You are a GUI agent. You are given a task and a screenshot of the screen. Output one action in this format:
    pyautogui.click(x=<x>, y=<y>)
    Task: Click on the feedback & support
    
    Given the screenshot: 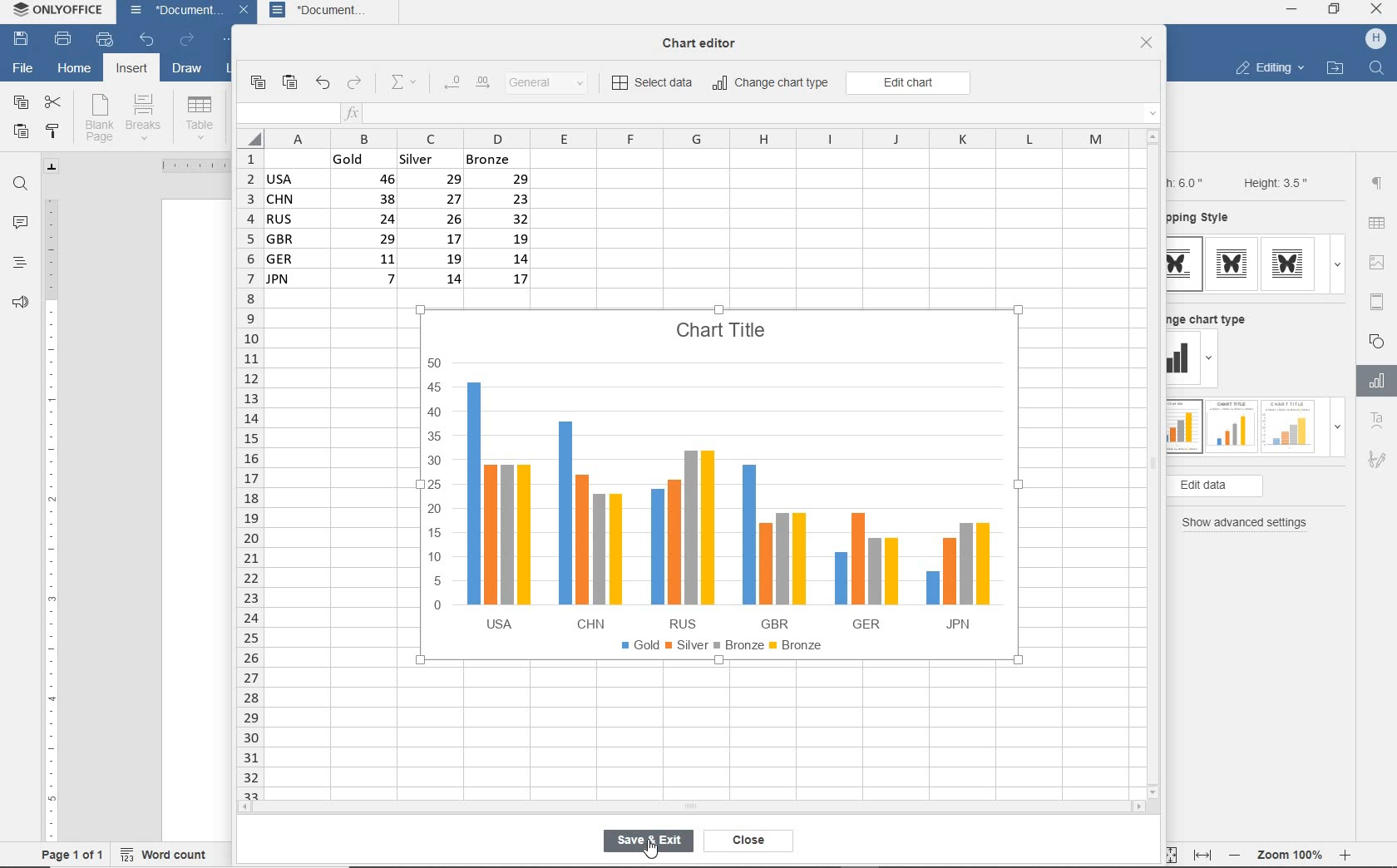 What is the action you would take?
    pyautogui.click(x=18, y=306)
    